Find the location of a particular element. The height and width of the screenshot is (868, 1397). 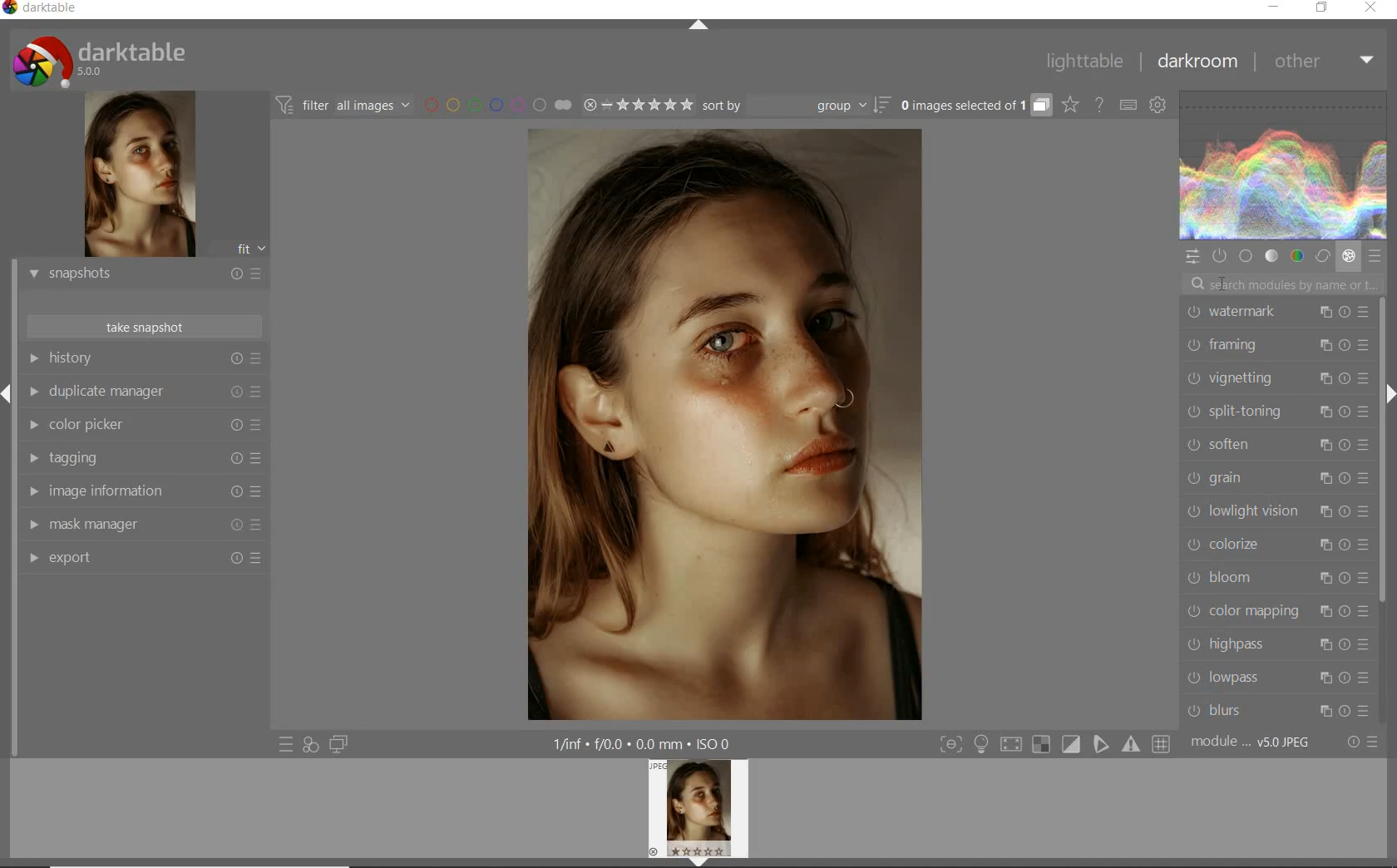

CURSOR is located at coordinates (1222, 285).